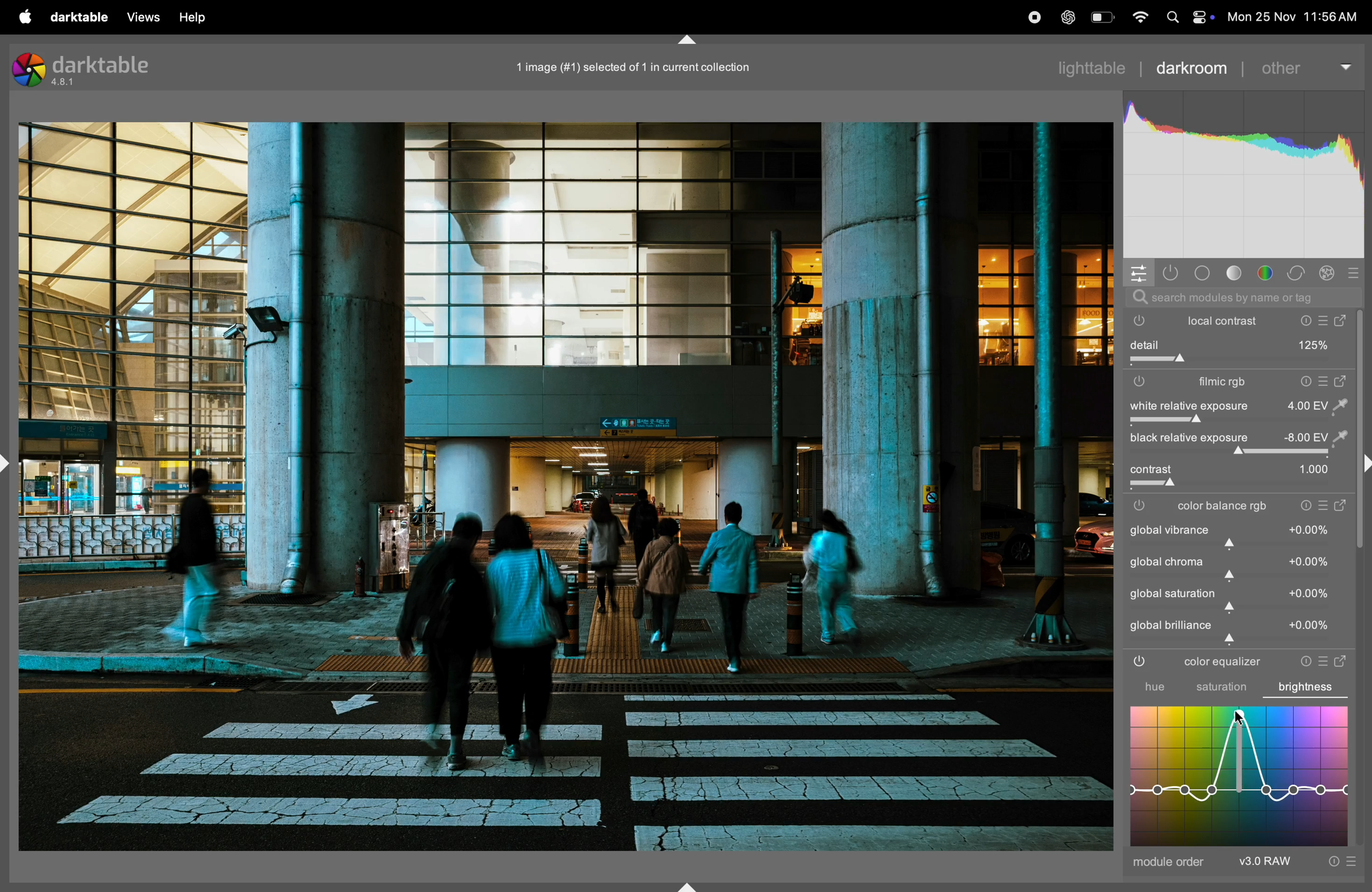  I want to click on base , so click(1201, 270).